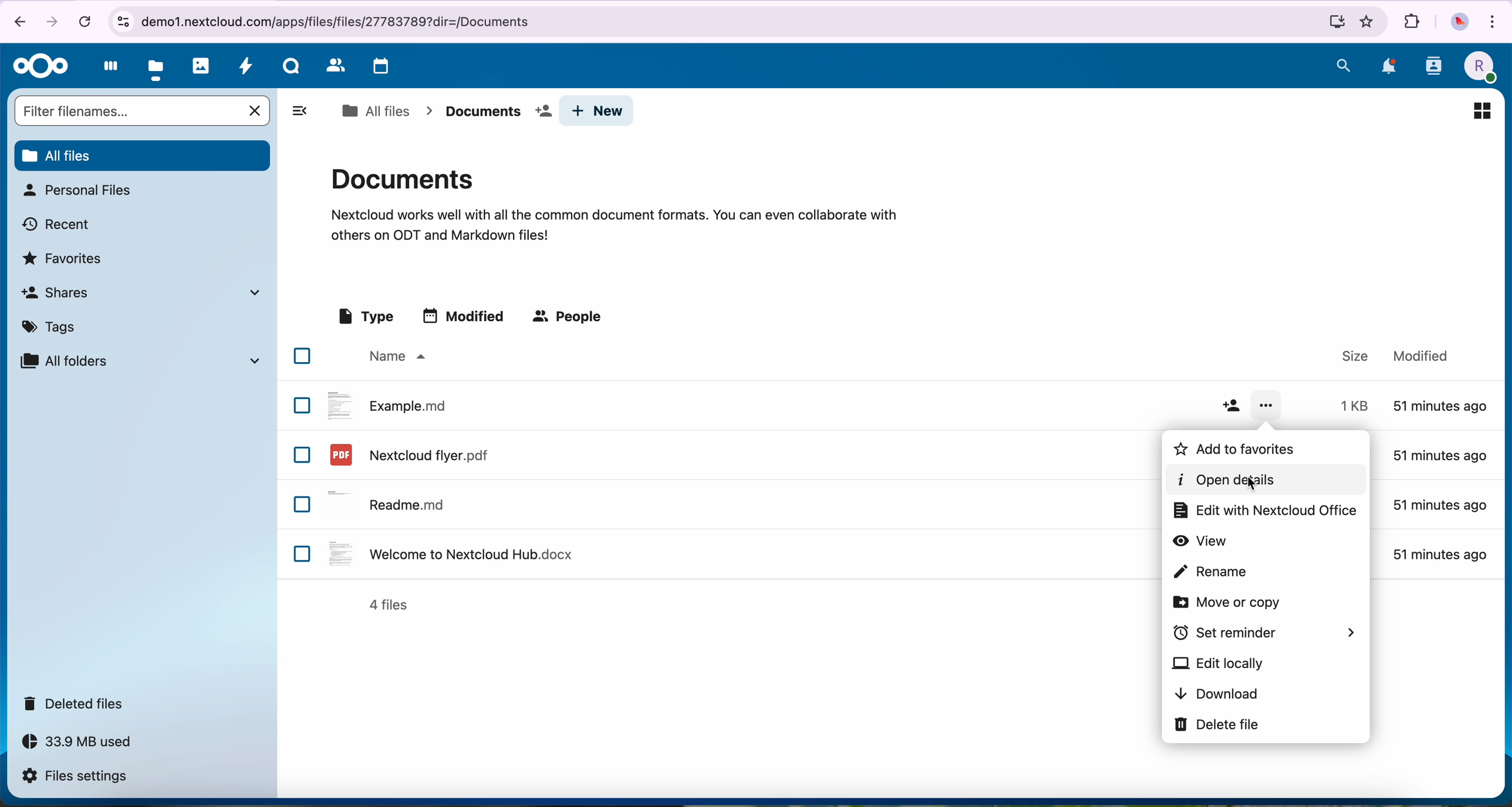 Image resolution: width=1512 pixels, height=807 pixels. Describe the element at coordinates (65, 257) in the screenshot. I see `favorites` at that location.